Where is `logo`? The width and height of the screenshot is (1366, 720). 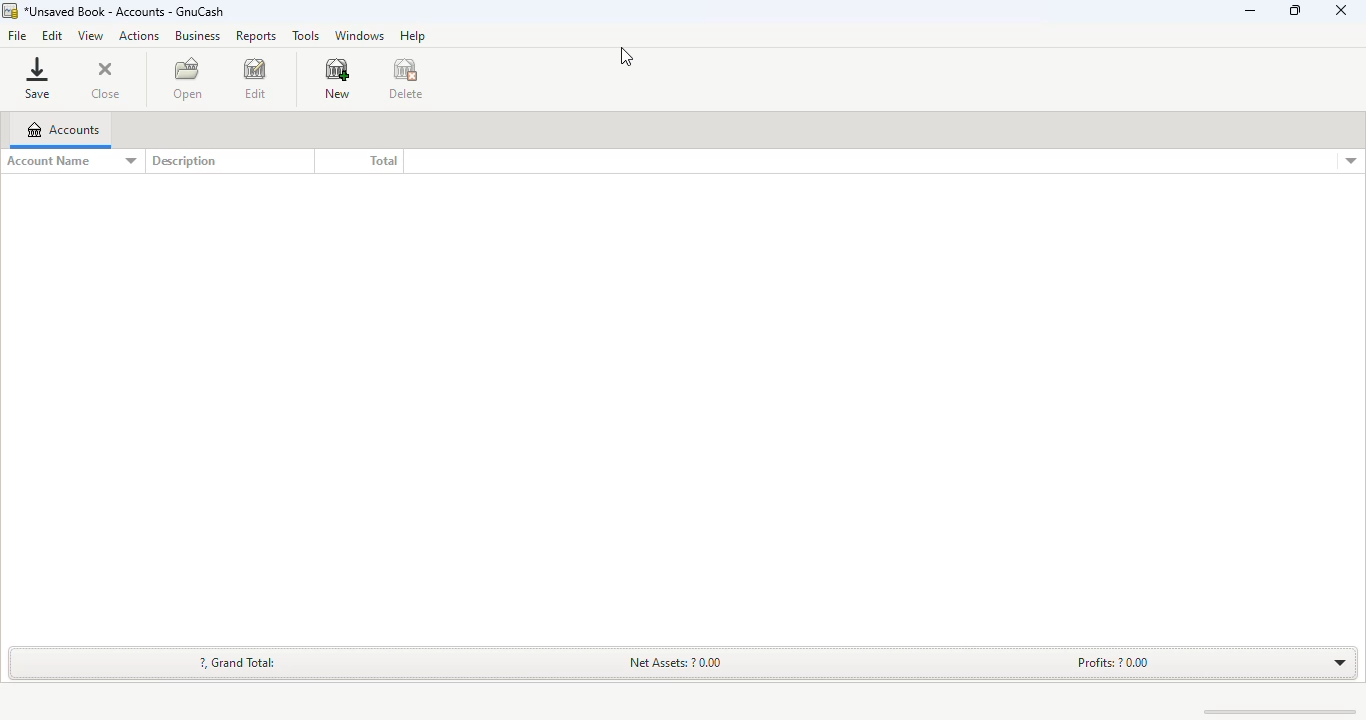 logo is located at coordinates (9, 11).